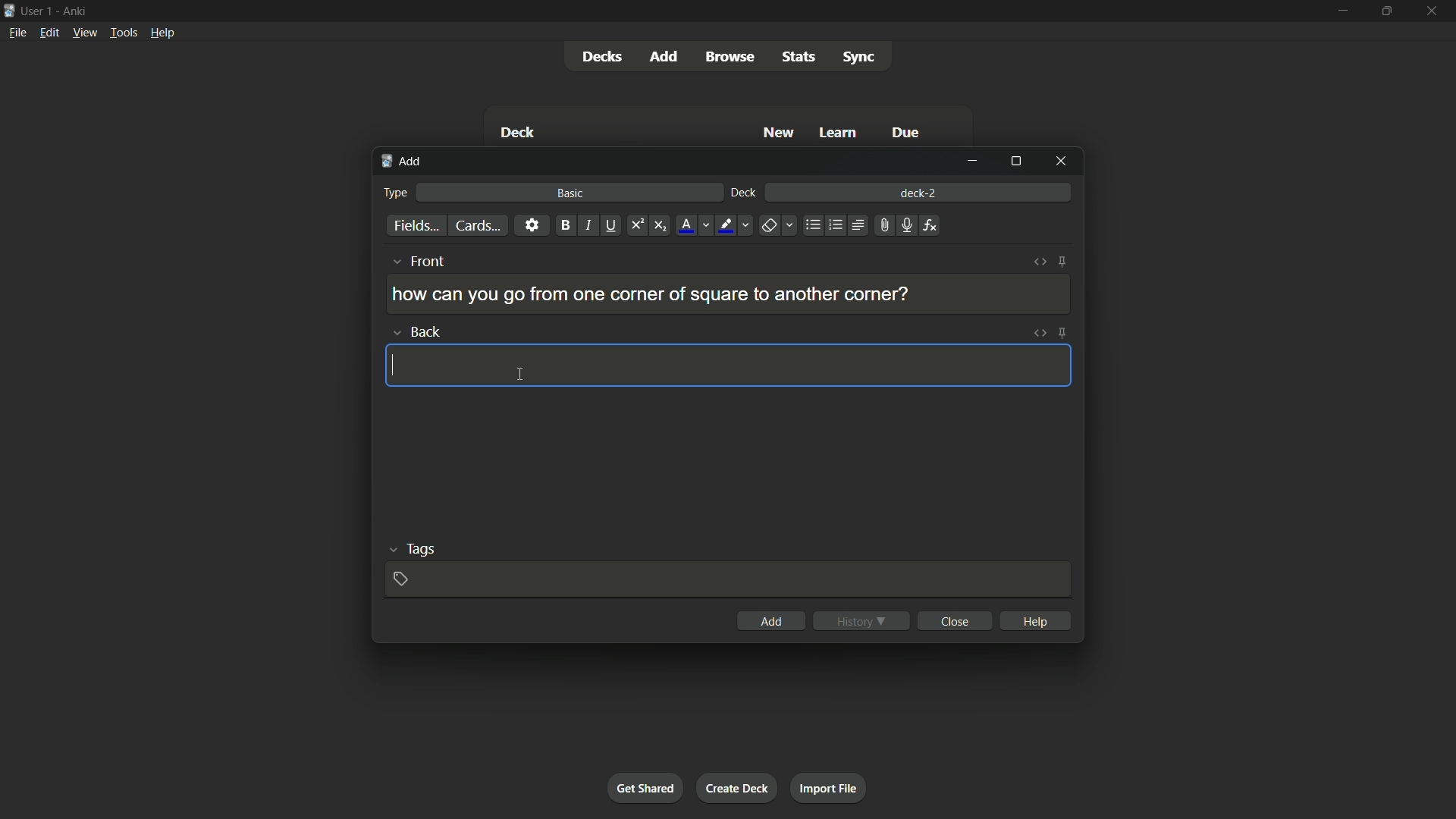  I want to click on get shared, so click(647, 788).